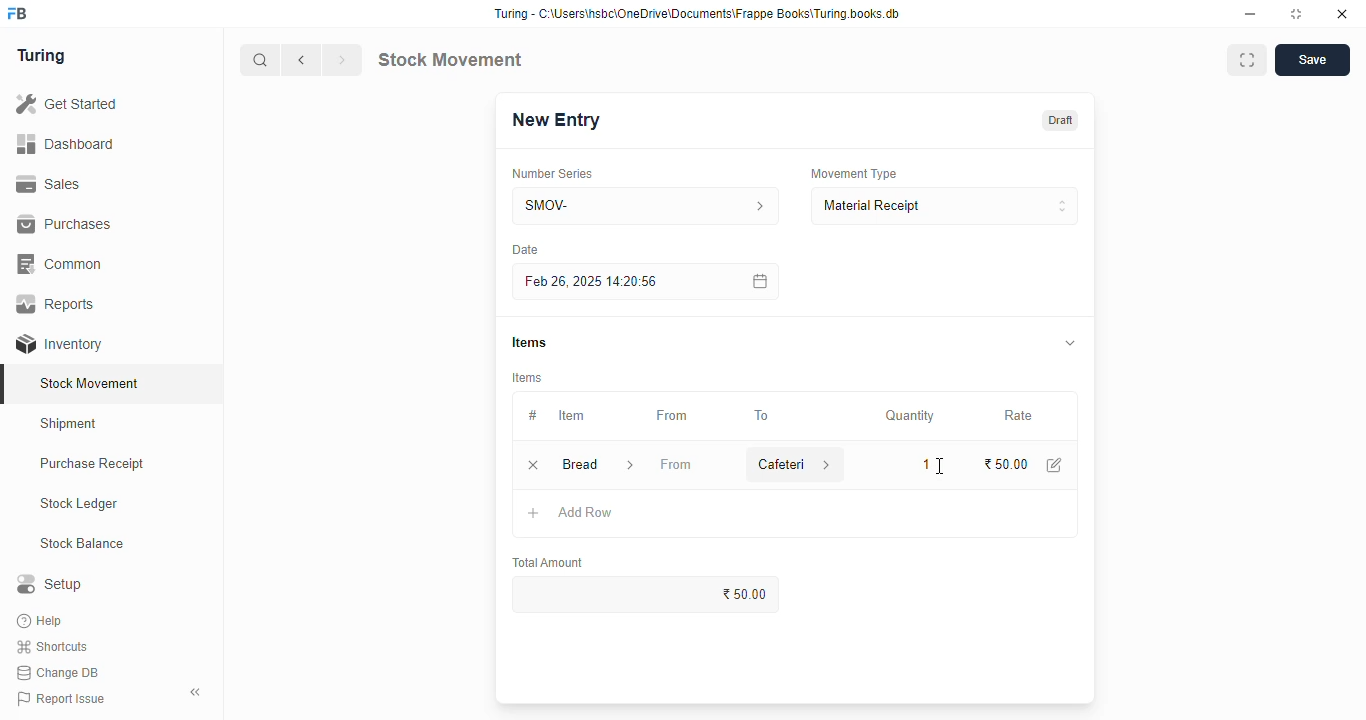 The height and width of the screenshot is (720, 1366). I want to click on stock balance, so click(83, 544).